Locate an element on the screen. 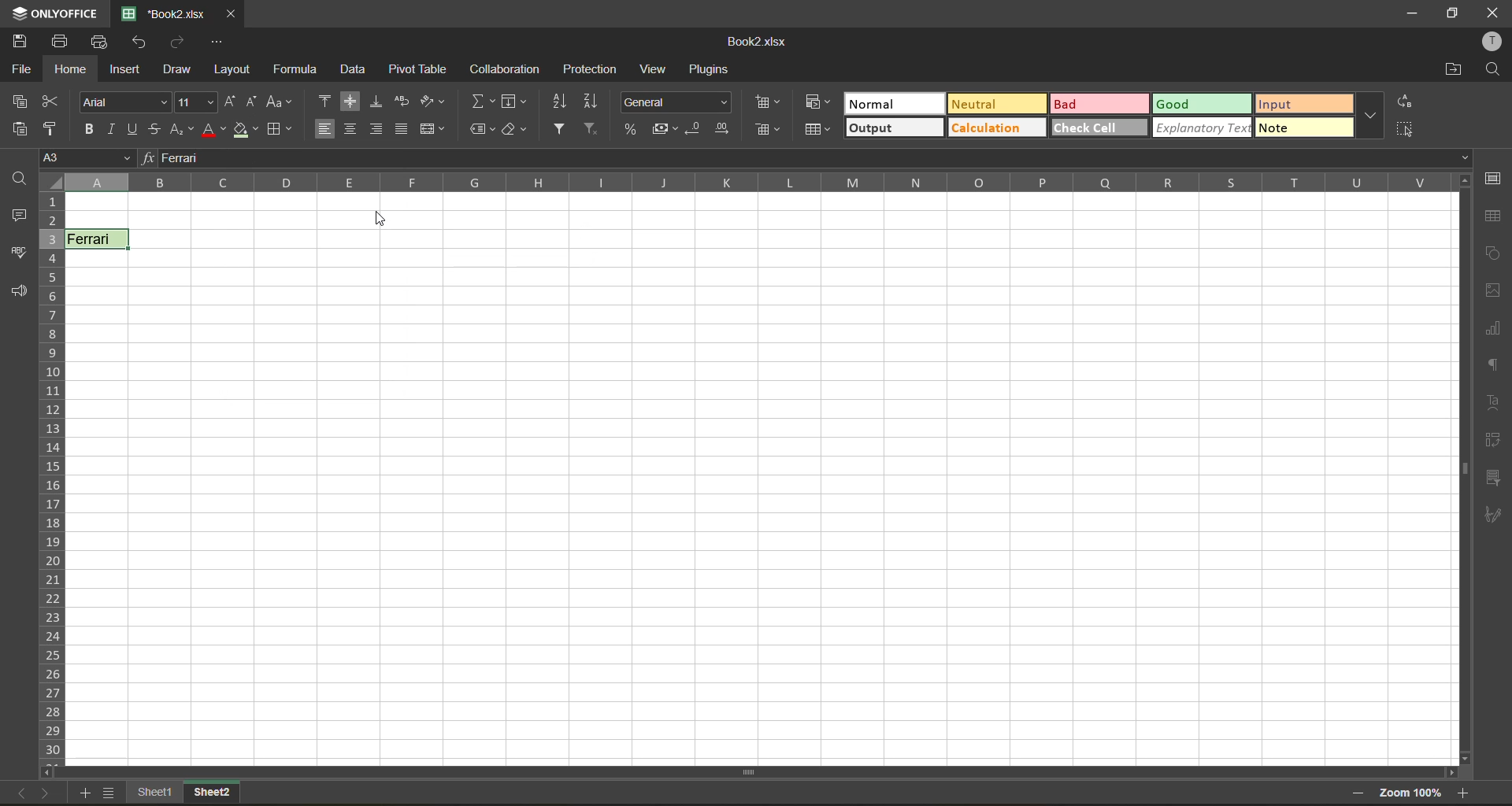 The width and height of the screenshot is (1512, 806). borders is located at coordinates (281, 130).